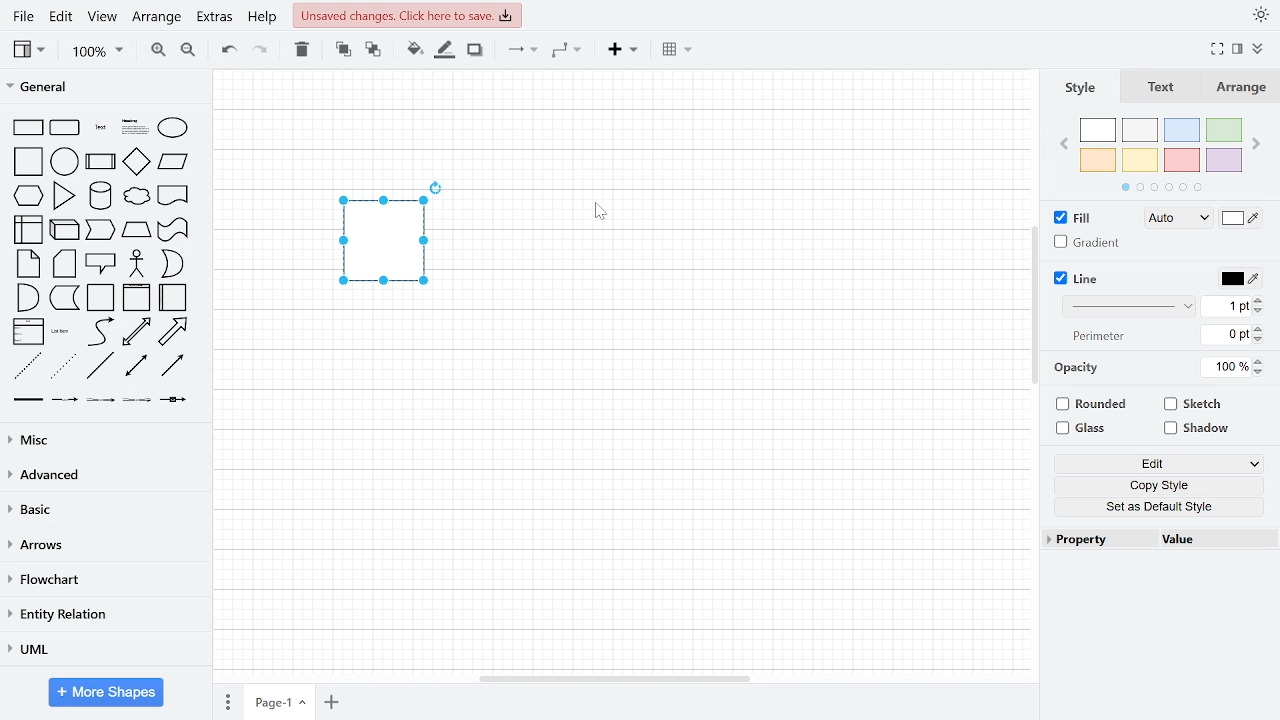 This screenshot has height=720, width=1280. Describe the element at coordinates (27, 195) in the screenshot. I see `hexagon` at that location.